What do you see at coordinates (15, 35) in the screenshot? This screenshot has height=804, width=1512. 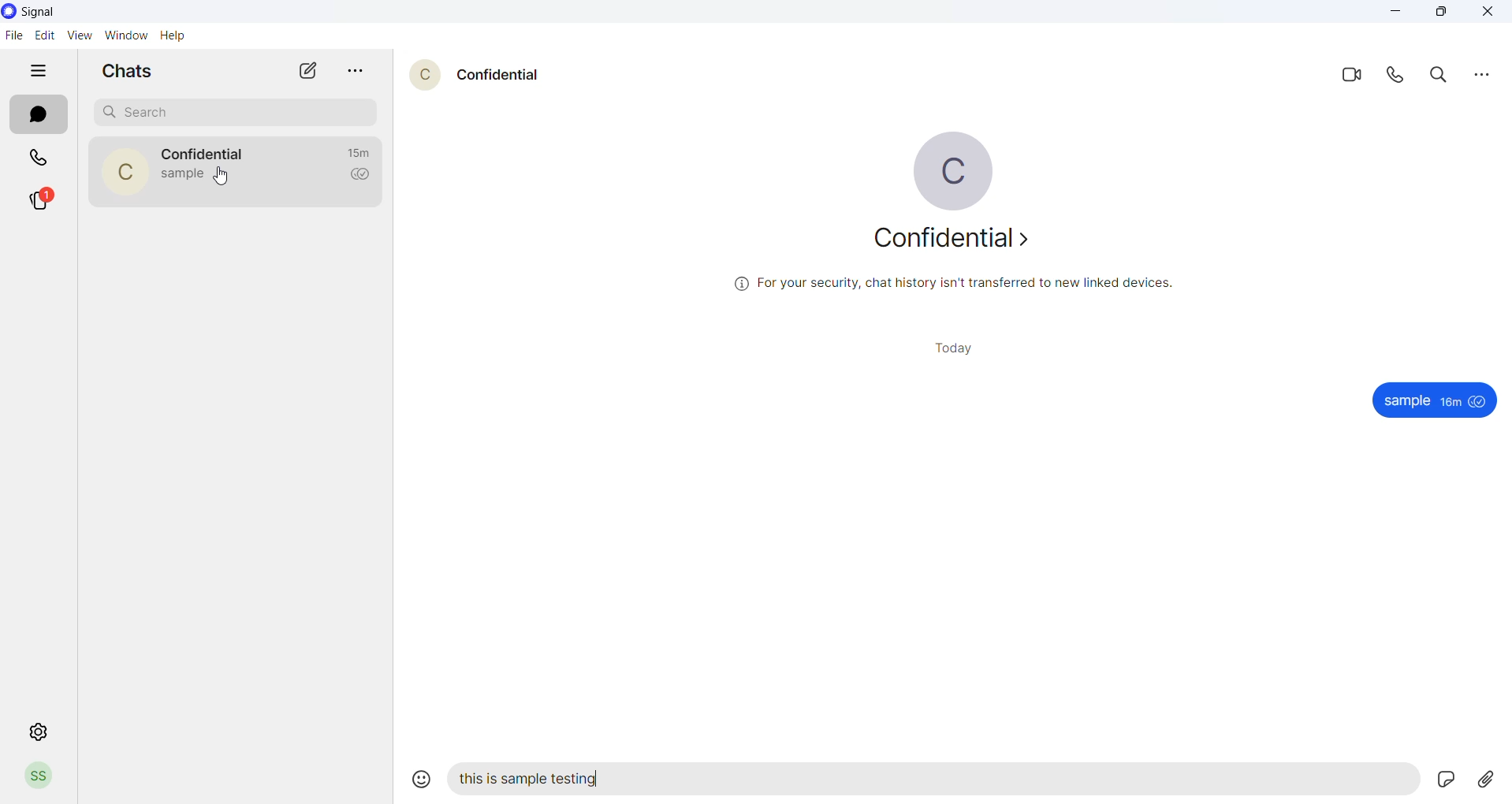 I see `file` at bounding box center [15, 35].